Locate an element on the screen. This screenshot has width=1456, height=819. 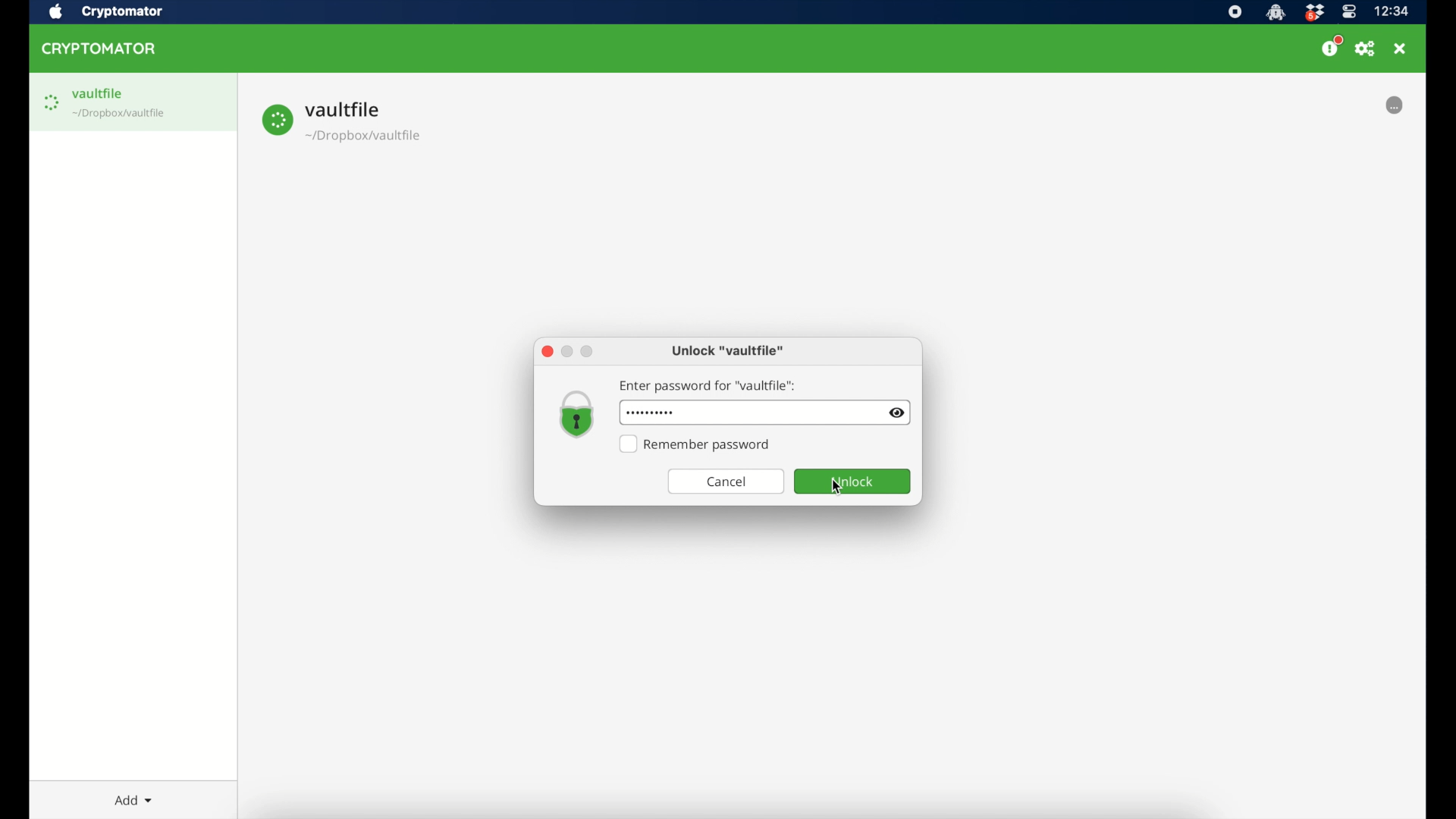
cursor is located at coordinates (839, 488).